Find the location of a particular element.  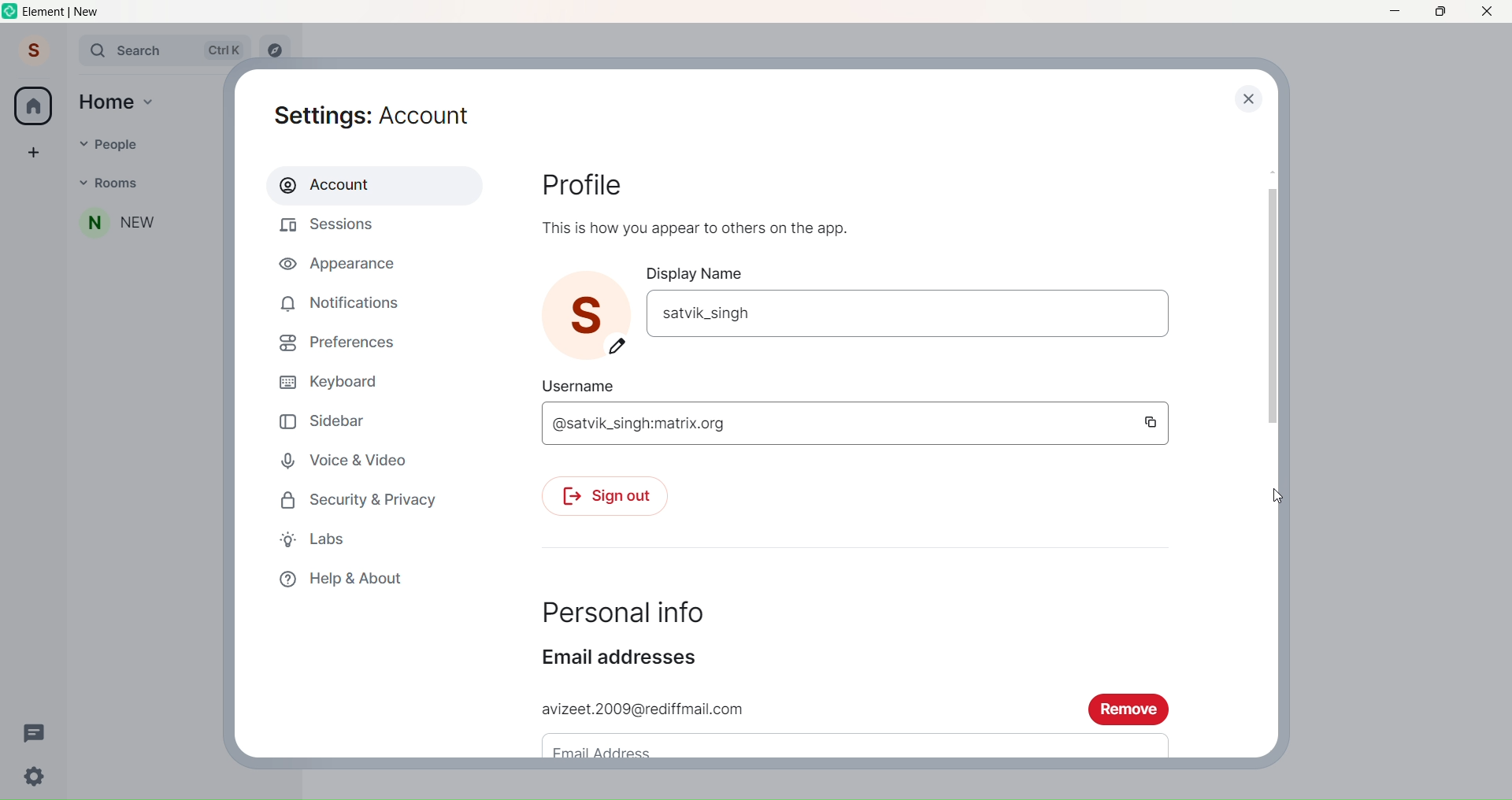

Home is located at coordinates (107, 101).